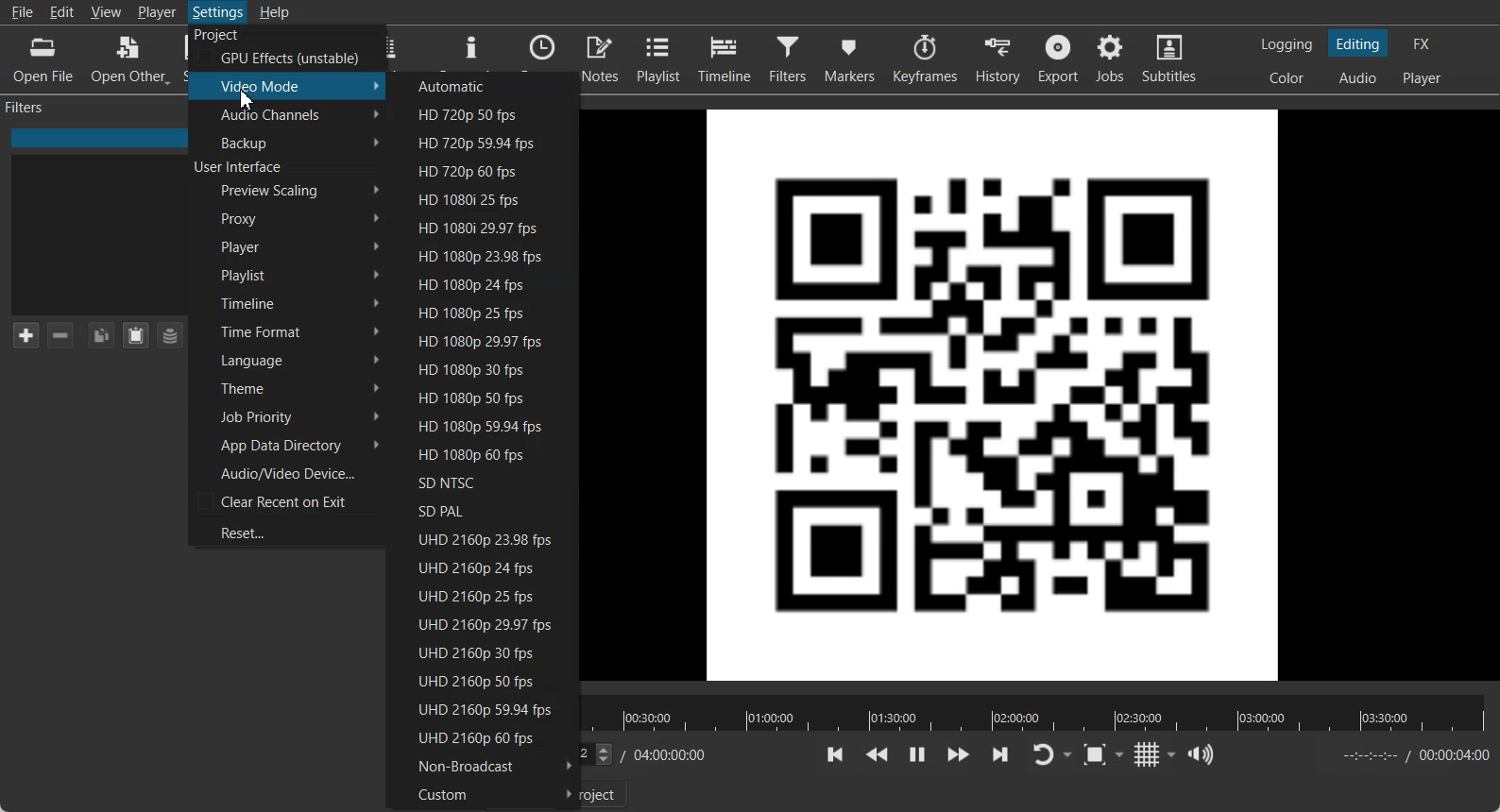  What do you see at coordinates (848, 59) in the screenshot?
I see `Markers` at bounding box center [848, 59].